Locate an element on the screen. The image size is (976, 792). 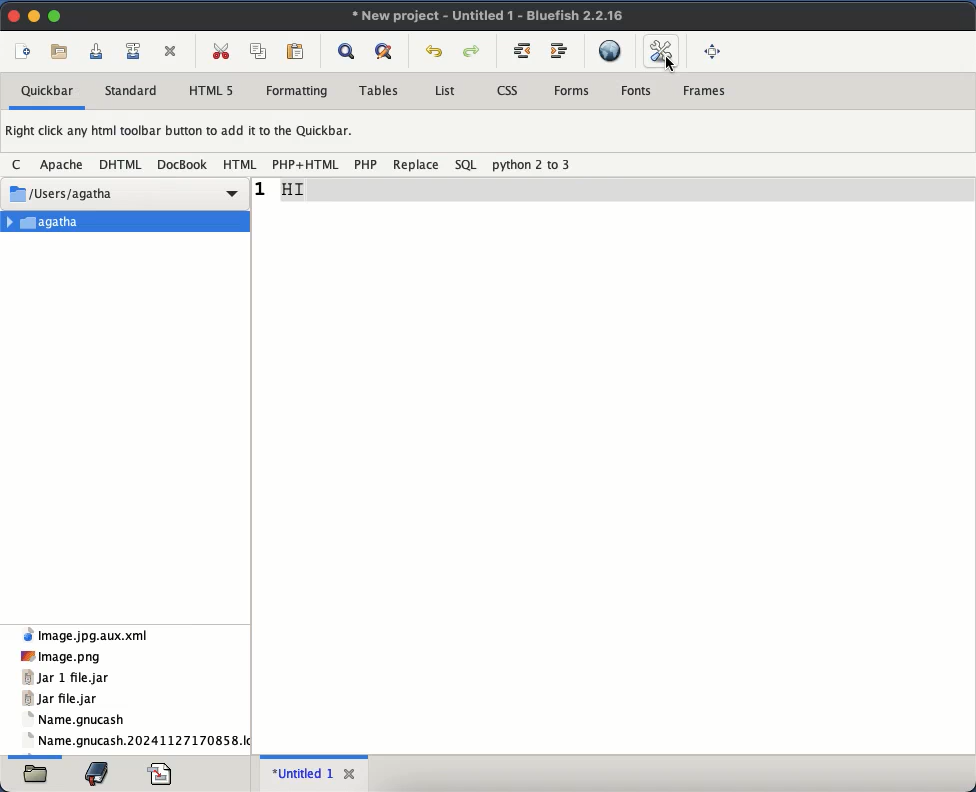
cut is located at coordinates (222, 50).